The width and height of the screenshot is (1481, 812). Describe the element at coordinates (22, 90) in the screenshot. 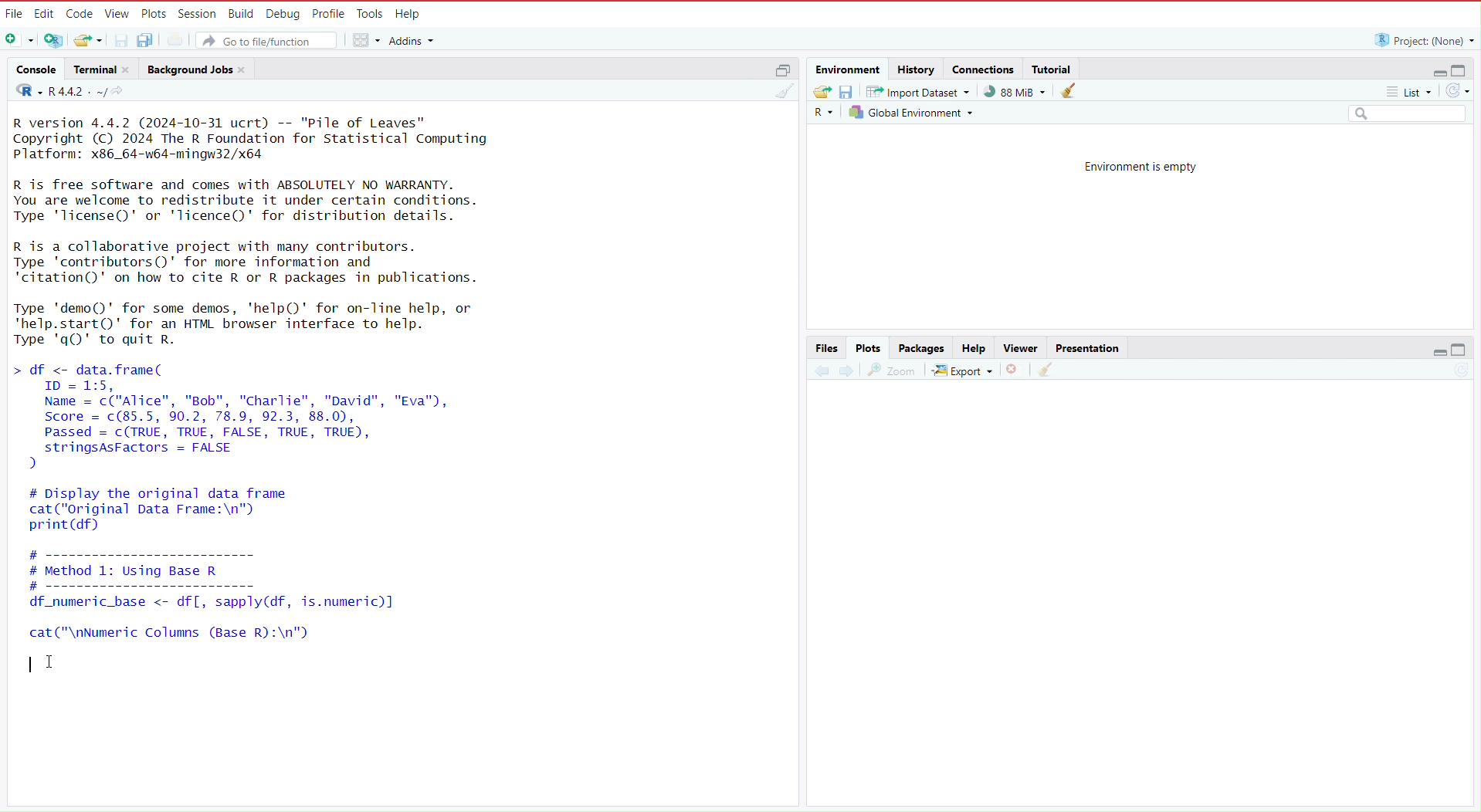

I see `language select` at that location.